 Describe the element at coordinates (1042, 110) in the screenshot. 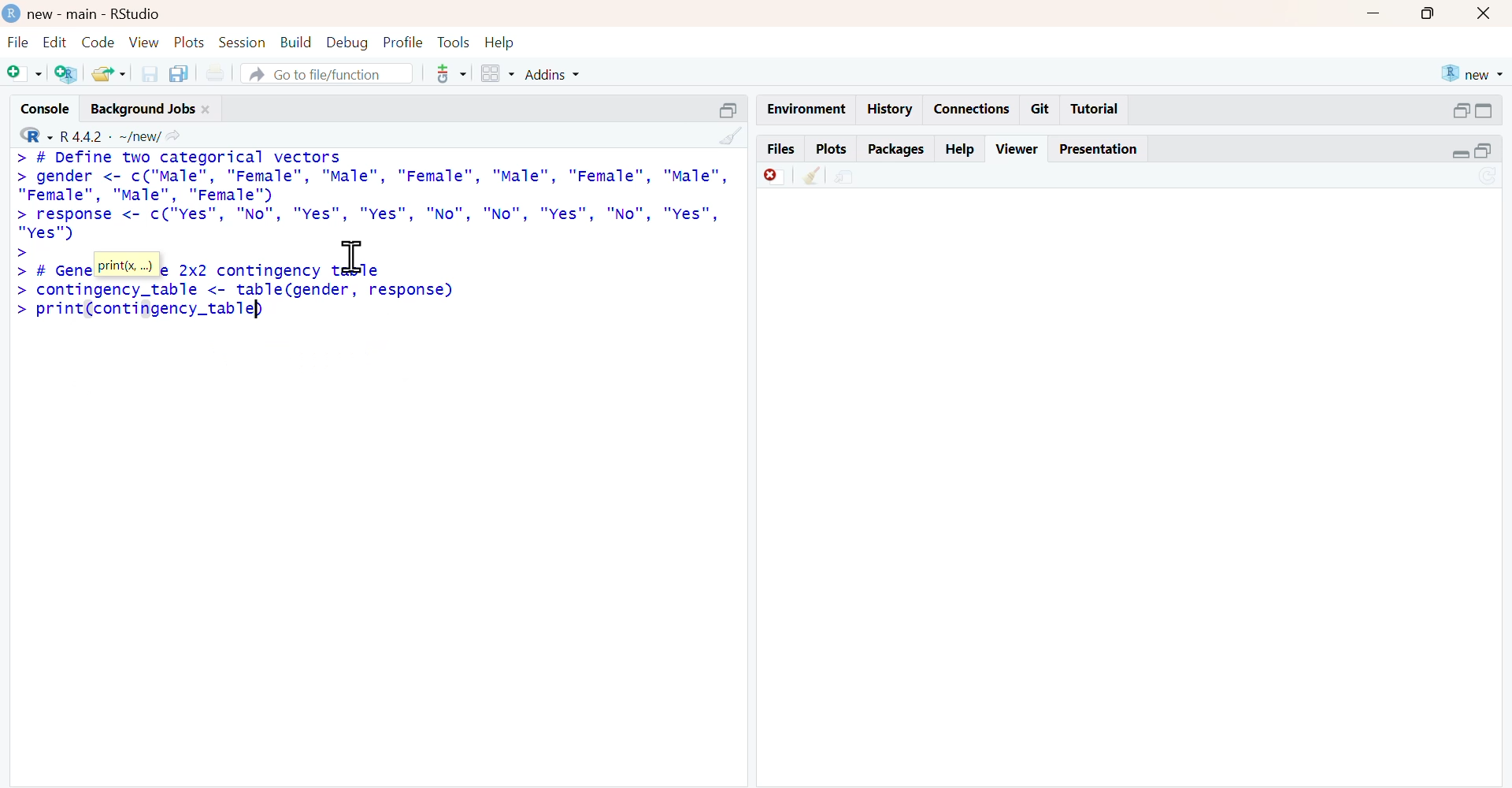

I see `git` at that location.